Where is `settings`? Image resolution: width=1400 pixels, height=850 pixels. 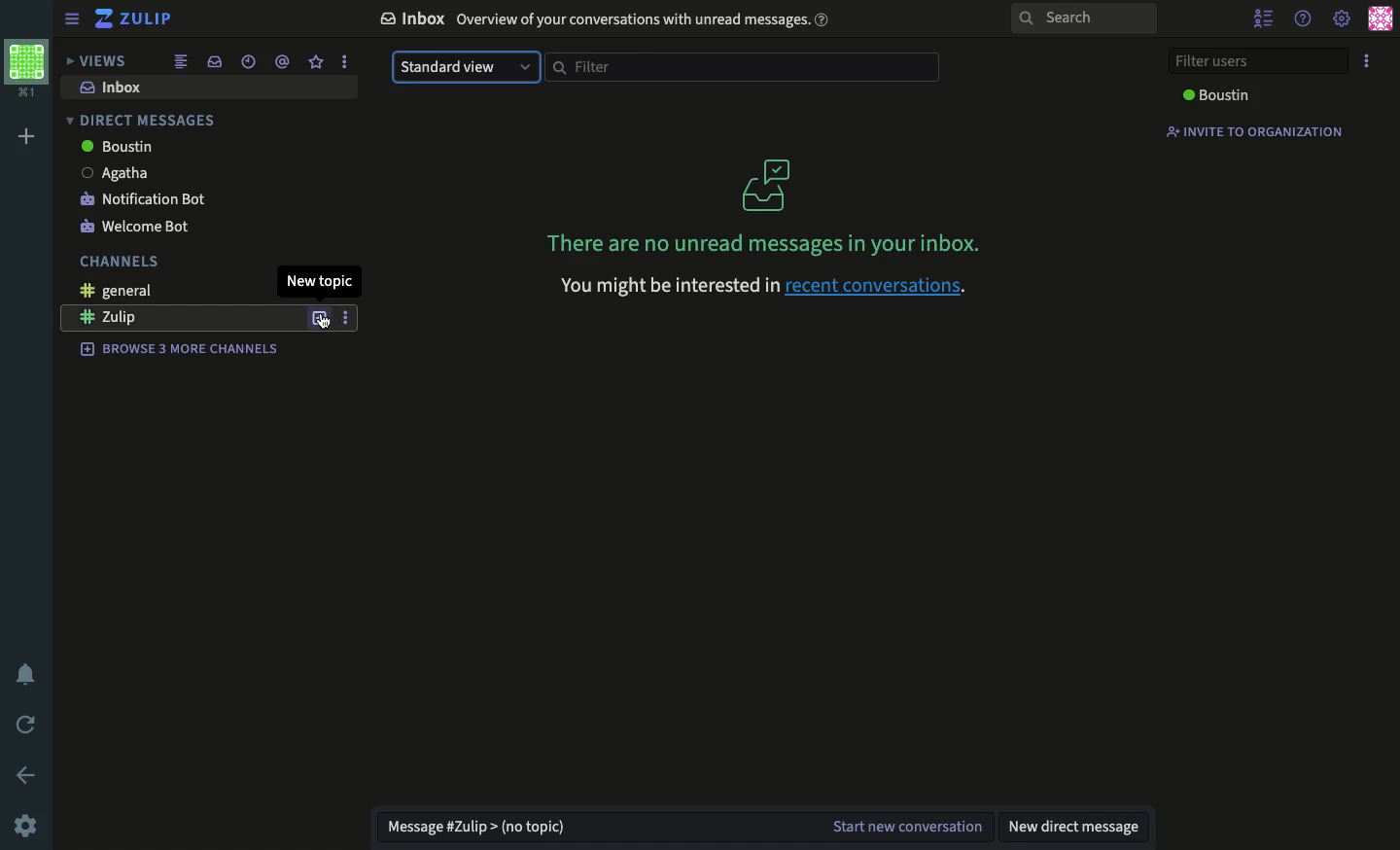
settings is located at coordinates (28, 824).